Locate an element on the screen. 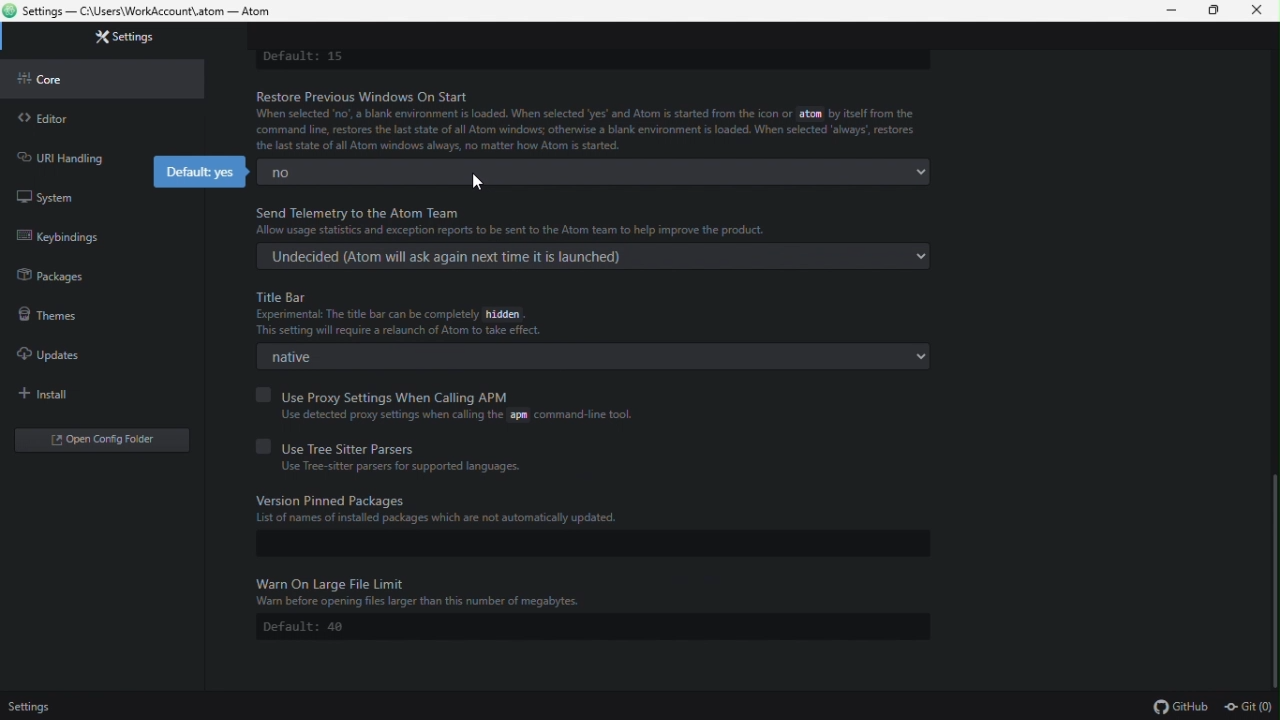 The width and height of the screenshot is (1280, 720). System is located at coordinates (71, 193).